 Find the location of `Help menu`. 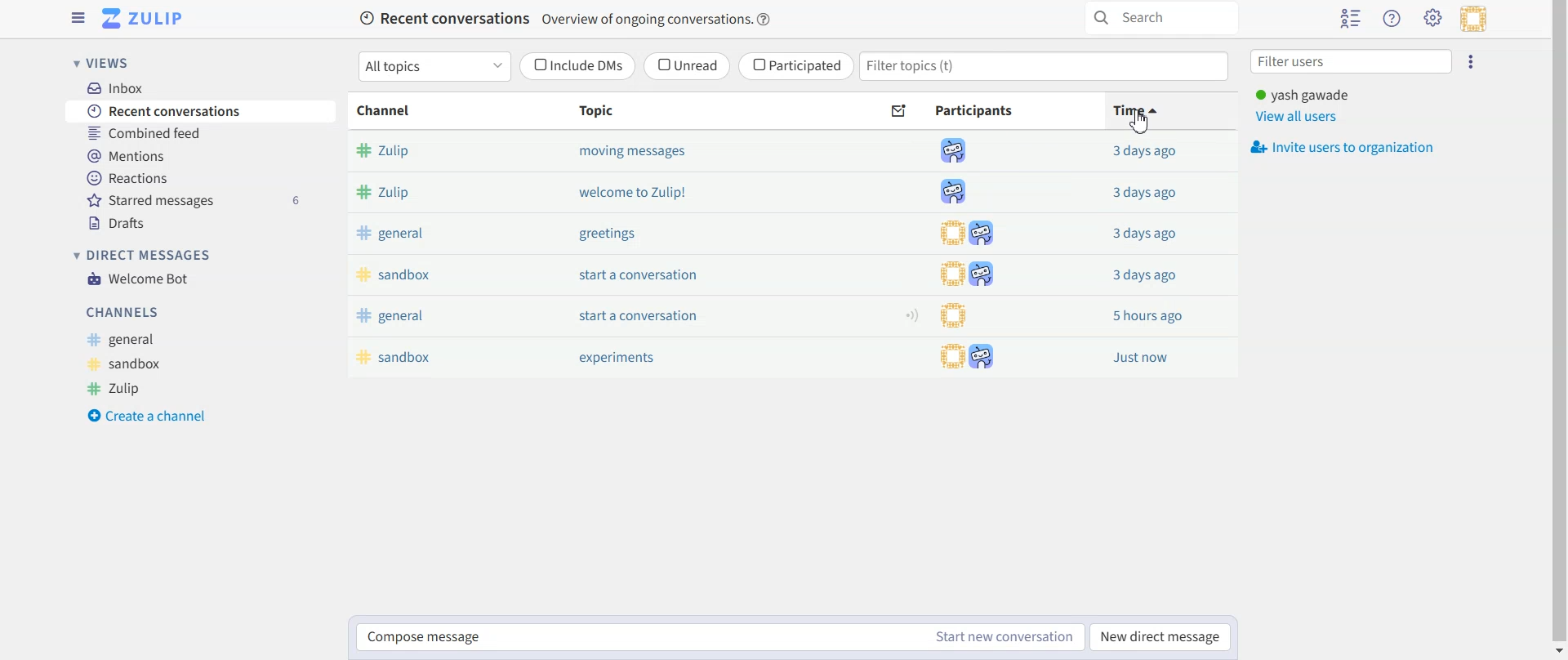

Help menu is located at coordinates (1393, 19).